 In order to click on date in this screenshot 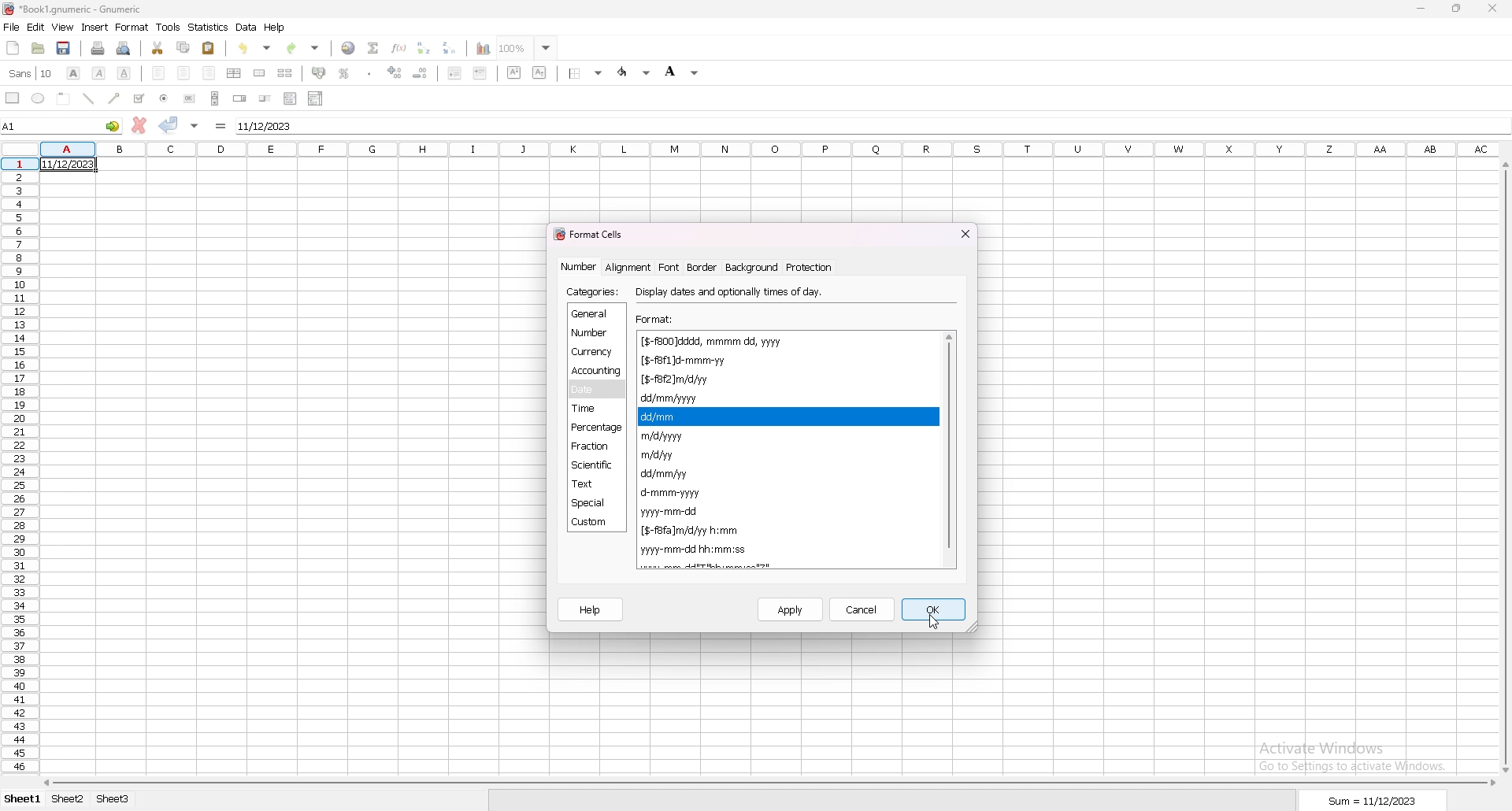, I will do `click(67, 164)`.